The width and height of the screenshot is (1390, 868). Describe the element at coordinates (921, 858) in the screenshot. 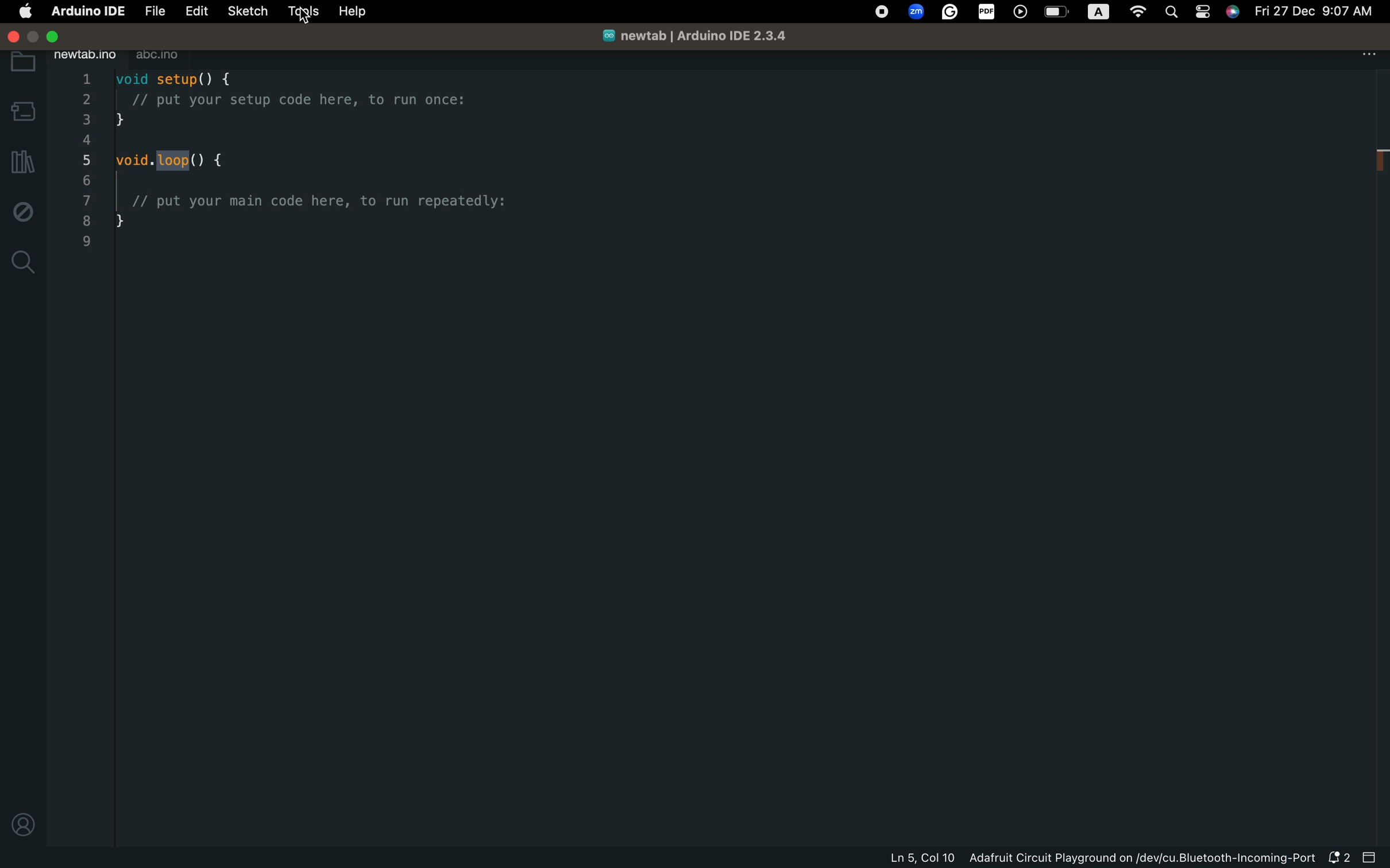

I see `Ln 5, Col 10` at that location.